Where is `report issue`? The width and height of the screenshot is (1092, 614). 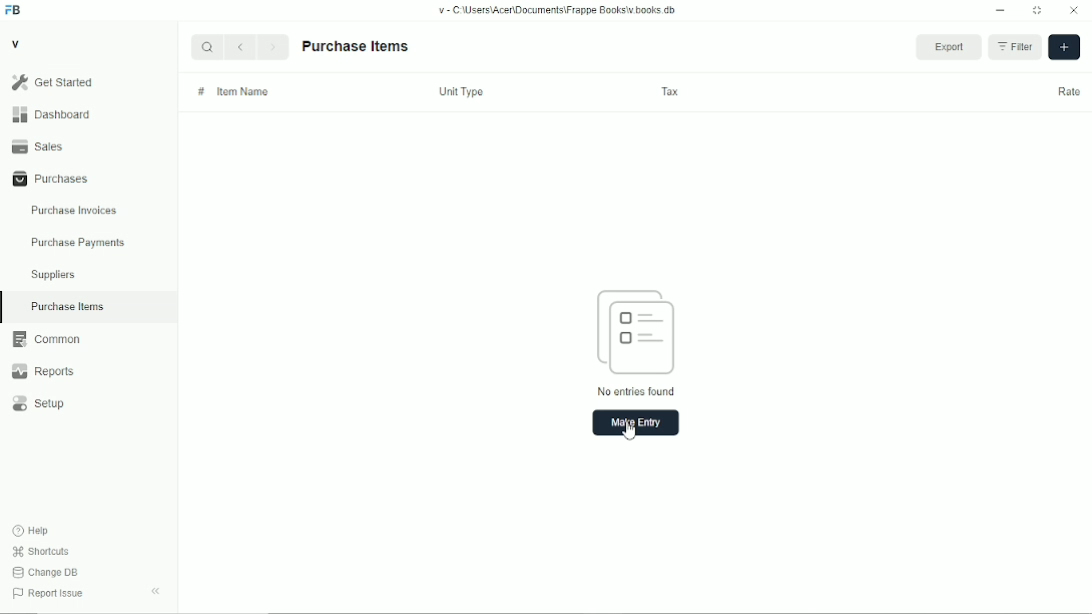
report issue is located at coordinates (48, 593).